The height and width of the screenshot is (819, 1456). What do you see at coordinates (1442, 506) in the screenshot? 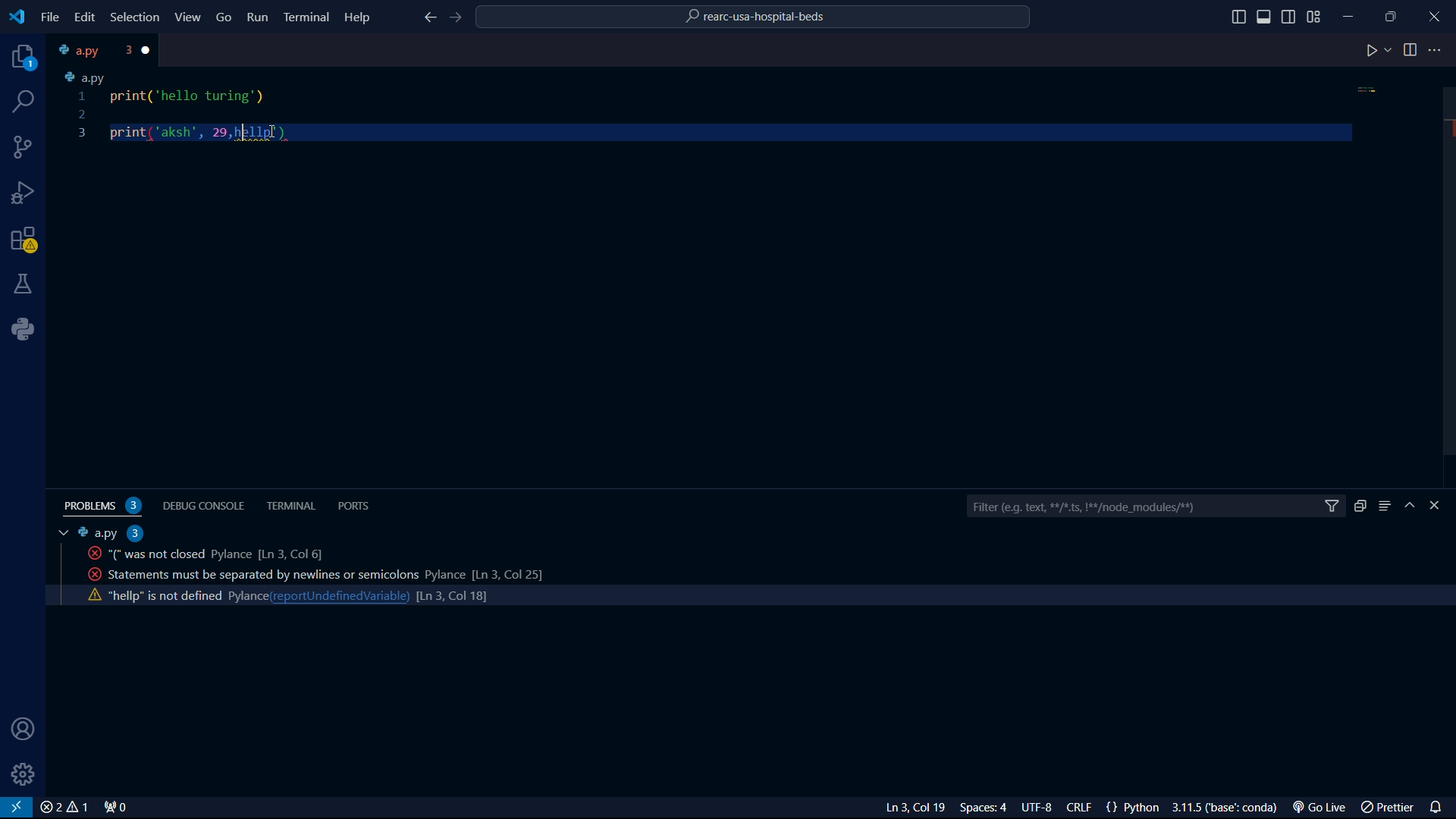
I see `close bar` at bounding box center [1442, 506].